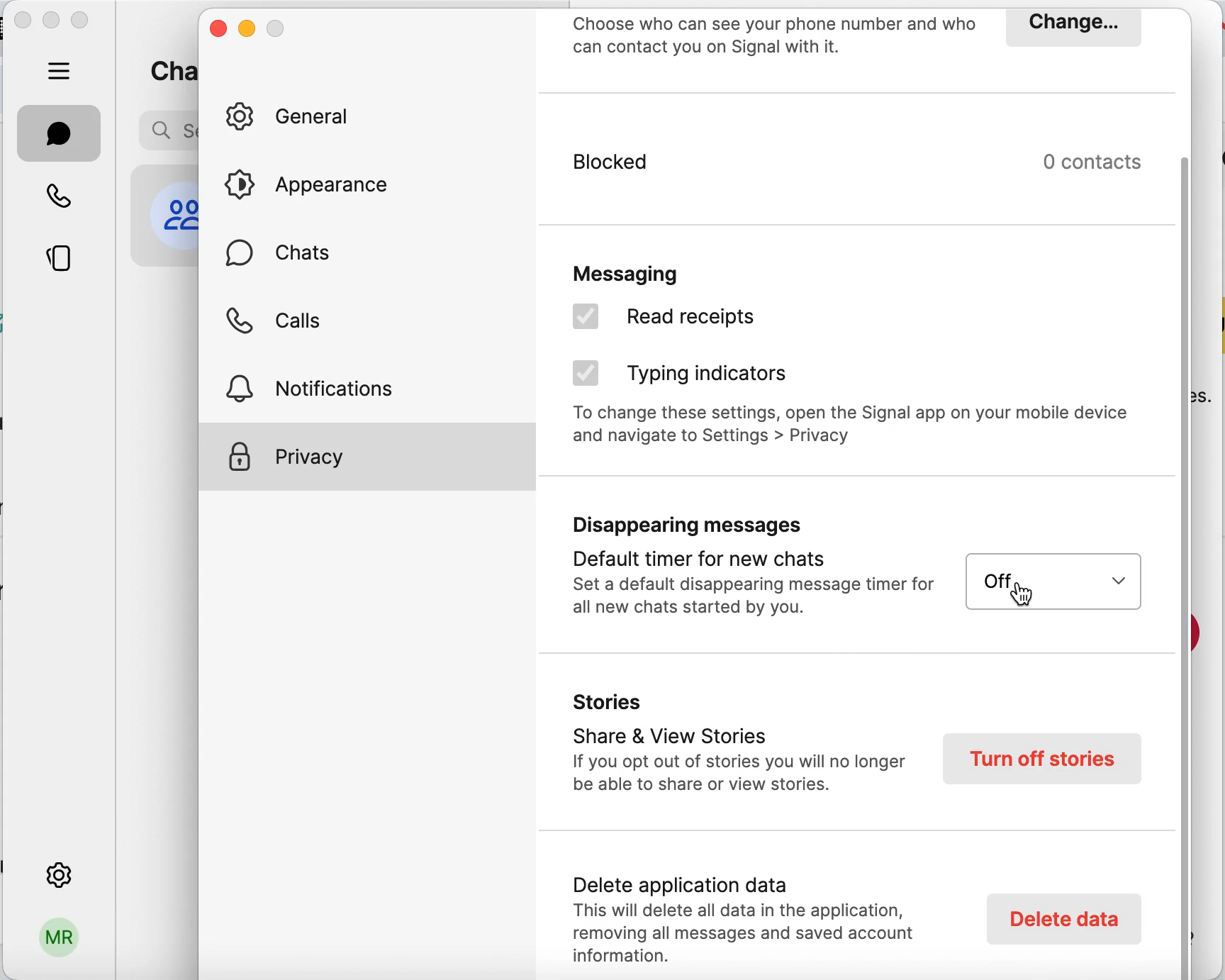 Image resolution: width=1225 pixels, height=980 pixels. Describe the element at coordinates (247, 30) in the screenshot. I see `minimize` at that location.